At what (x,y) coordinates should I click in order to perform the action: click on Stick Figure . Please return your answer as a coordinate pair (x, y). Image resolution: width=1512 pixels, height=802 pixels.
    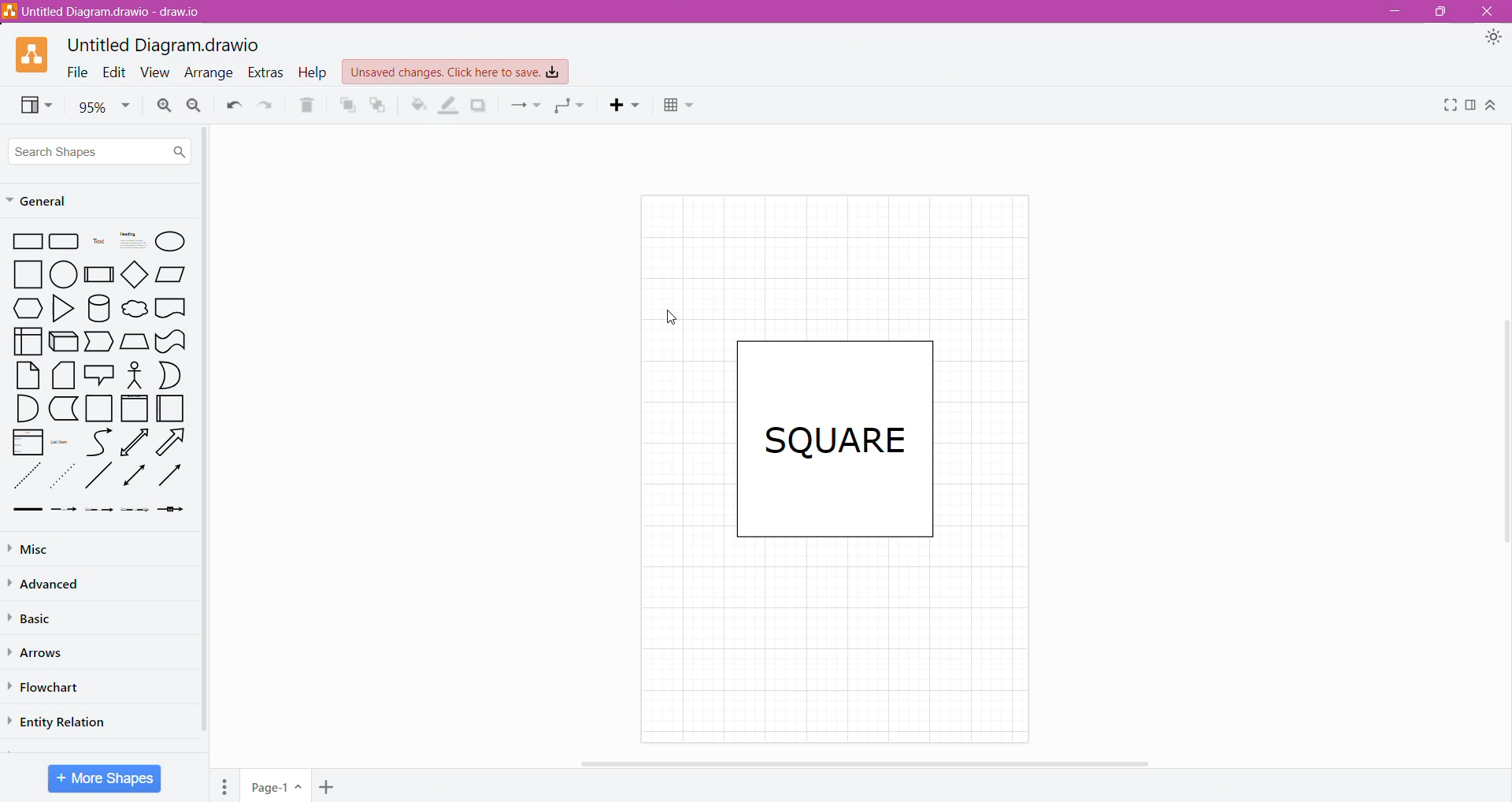
    Looking at the image, I should click on (135, 375).